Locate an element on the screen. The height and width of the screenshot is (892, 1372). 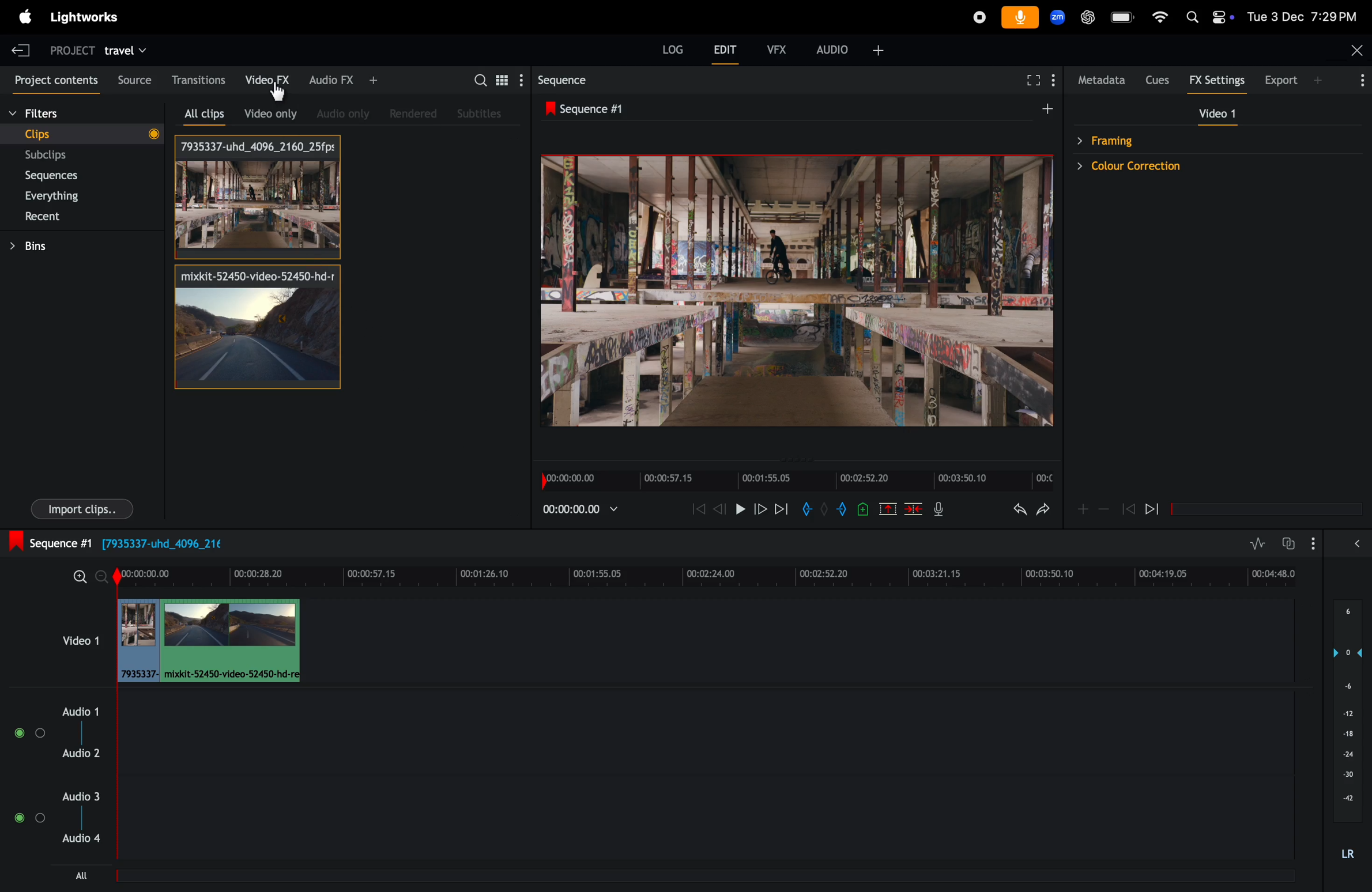
sequence #1 is located at coordinates (133, 543).